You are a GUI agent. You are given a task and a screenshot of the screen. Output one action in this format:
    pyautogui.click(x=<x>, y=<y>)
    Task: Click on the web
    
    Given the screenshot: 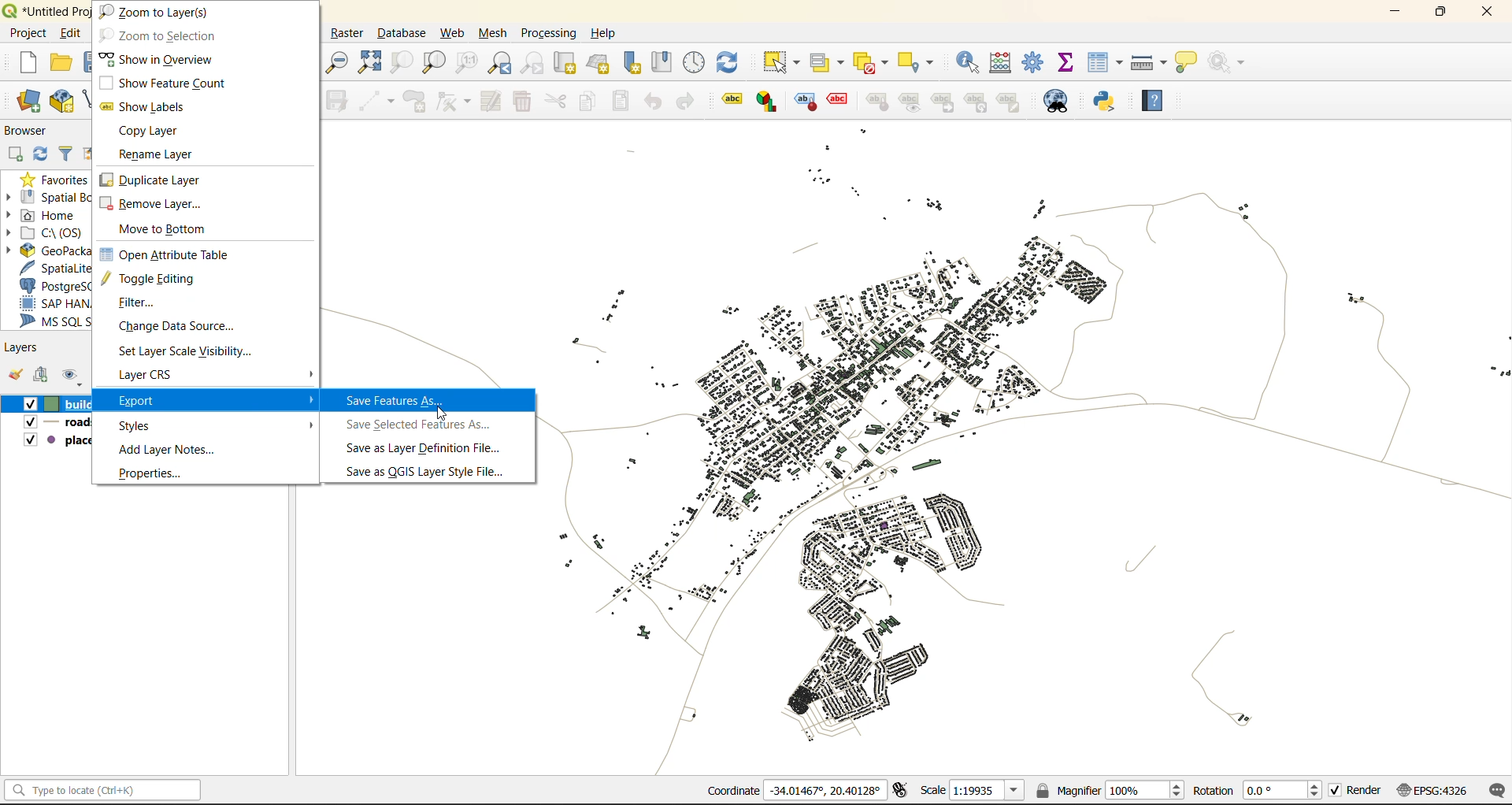 What is the action you would take?
    pyautogui.click(x=454, y=32)
    